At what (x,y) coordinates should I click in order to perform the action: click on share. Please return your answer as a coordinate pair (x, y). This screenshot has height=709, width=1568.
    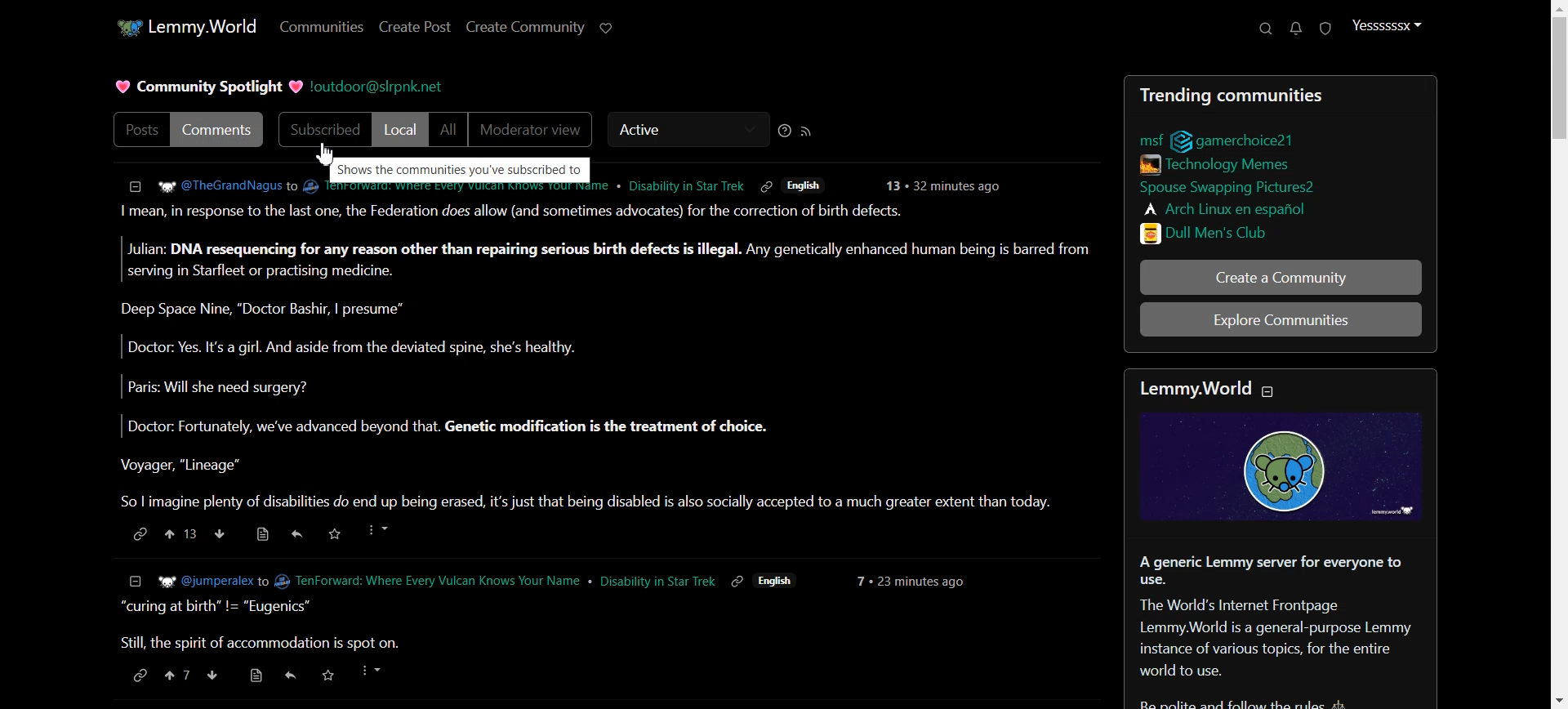
    Looking at the image, I should click on (300, 534).